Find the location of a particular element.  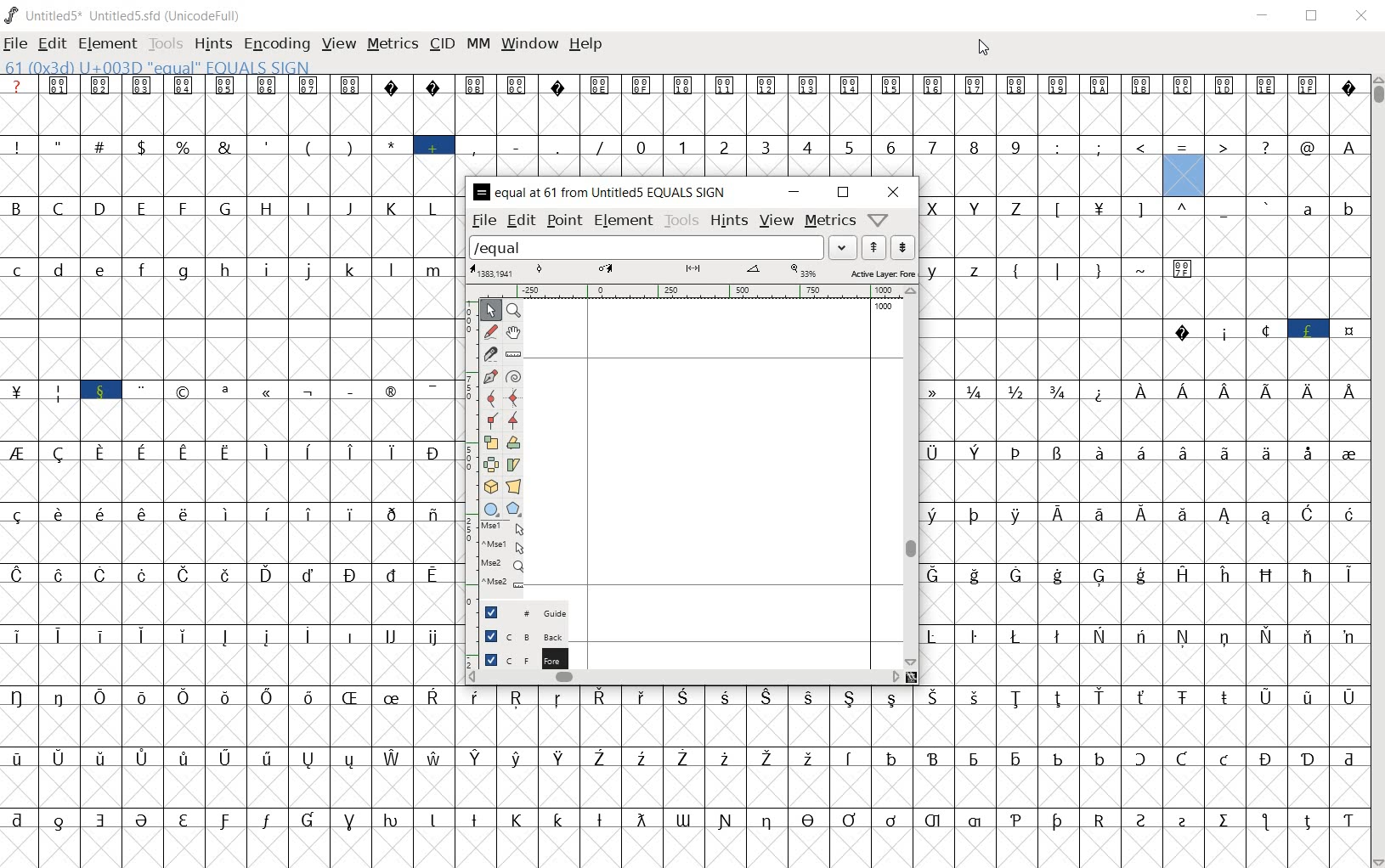

Rotate the selection is located at coordinates (514, 444).